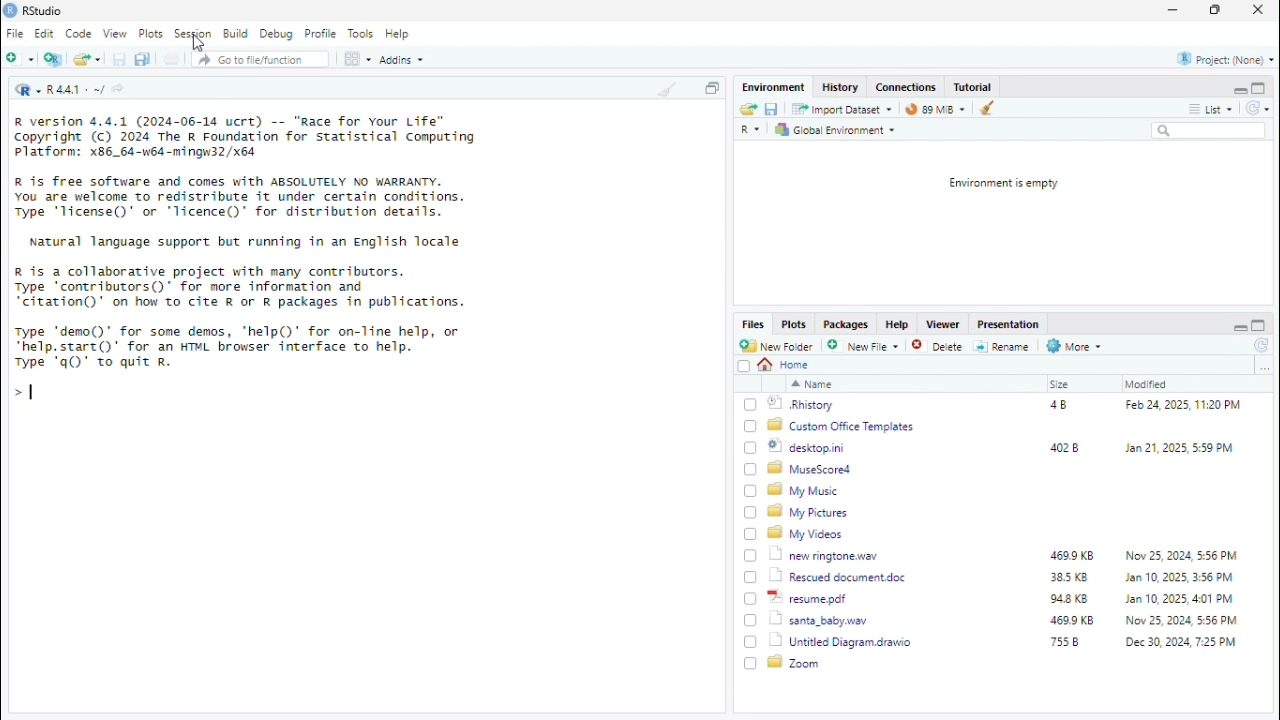 The width and height of the screenshot is (1280, 720). Describe the element at coordinates (199, 44) in the screenshot. I see `Cursor ` at that location.